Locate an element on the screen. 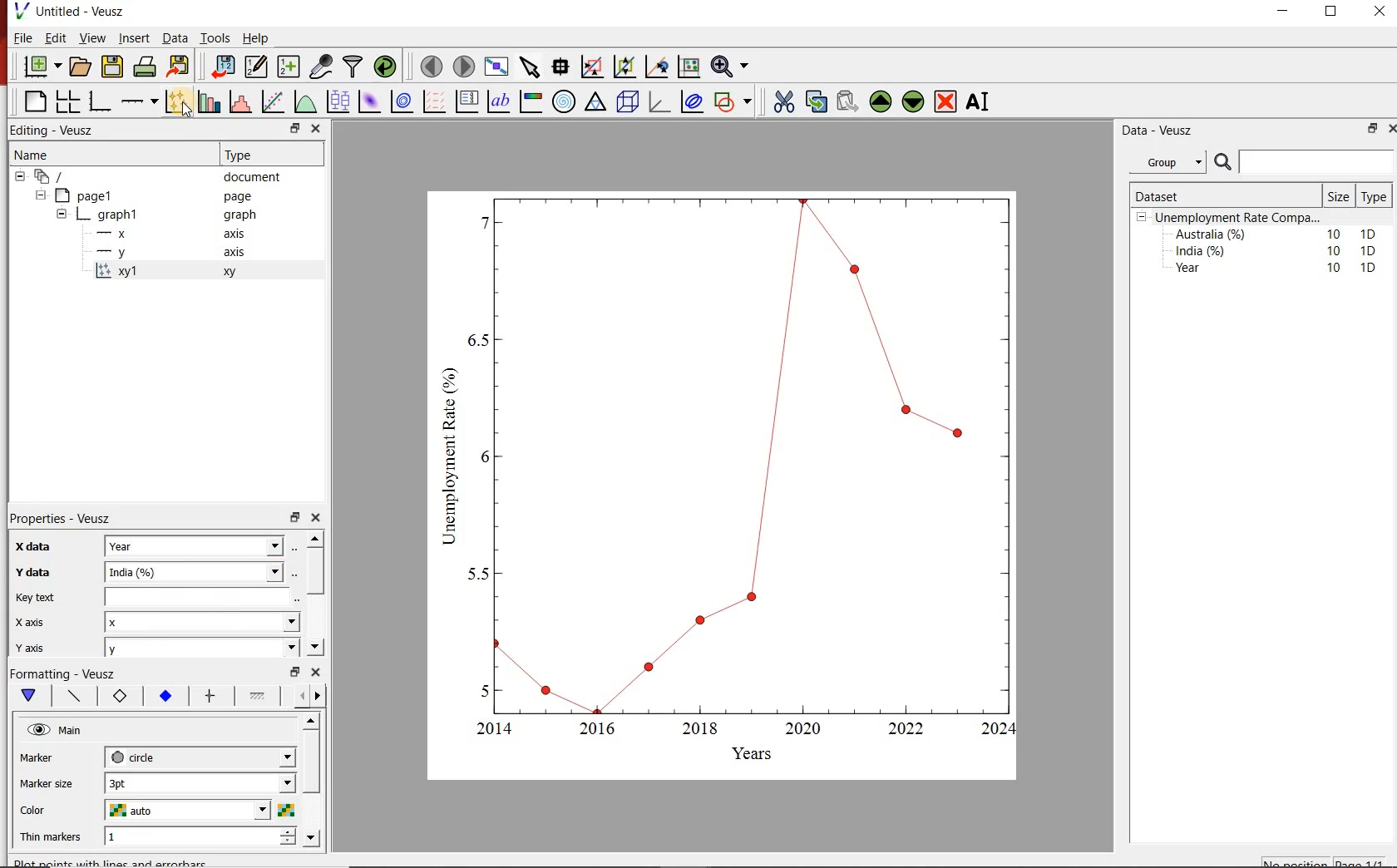  close is located at coordinates (317, 128).